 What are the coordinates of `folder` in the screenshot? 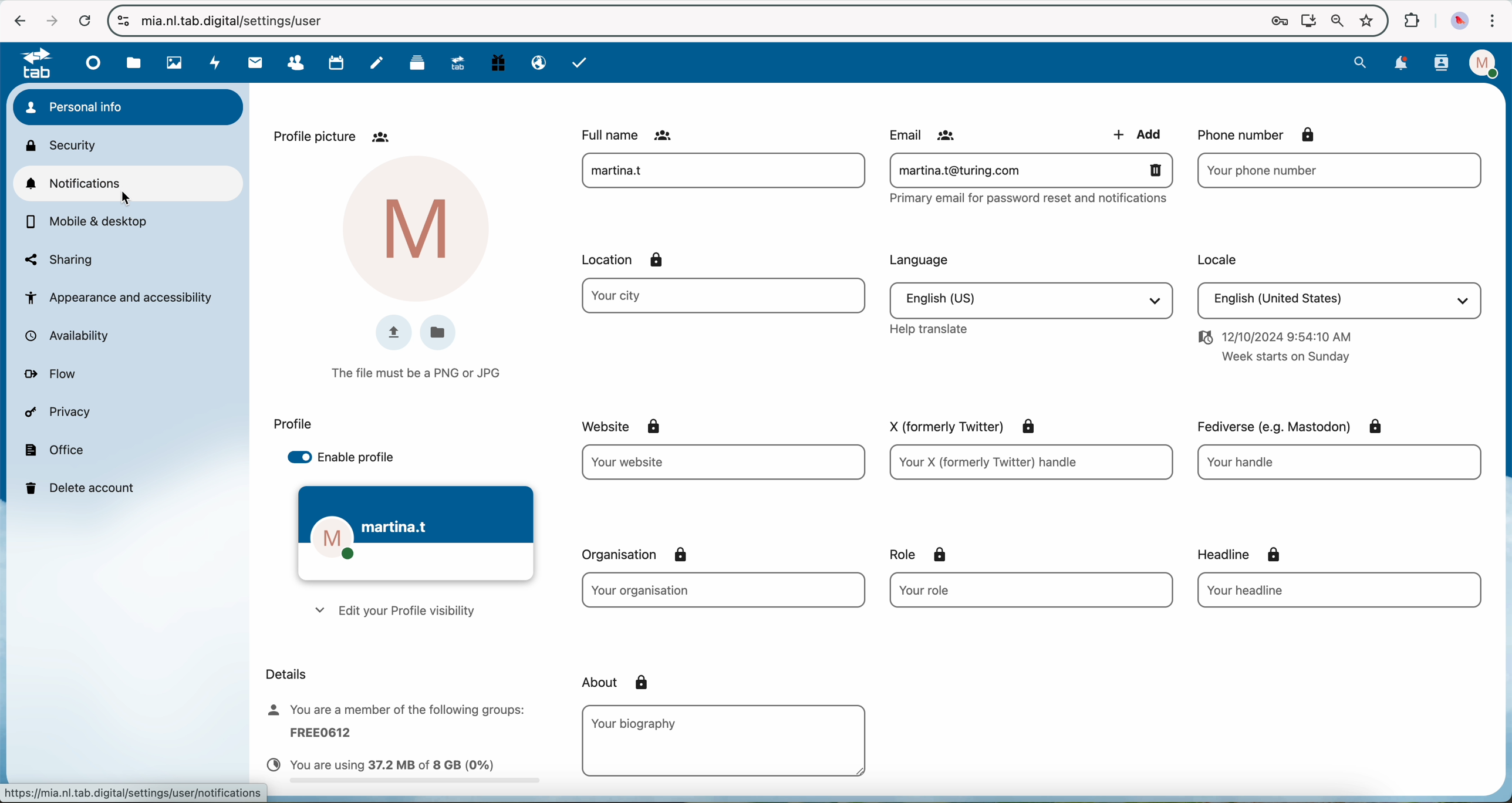 It's located at (440, 330).